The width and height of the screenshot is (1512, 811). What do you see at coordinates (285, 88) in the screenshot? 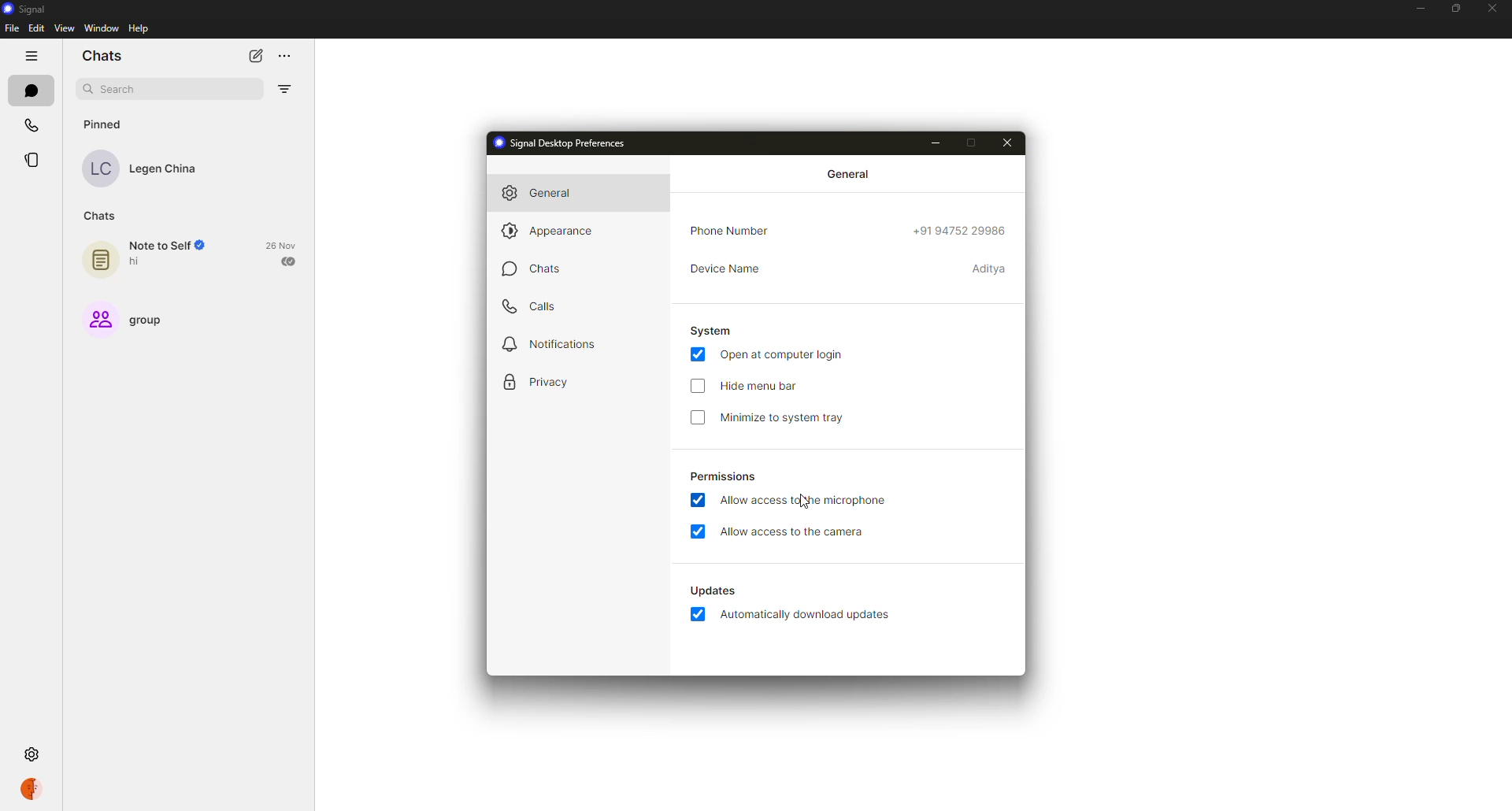
I see `filter` at bounding box center [285, 88].